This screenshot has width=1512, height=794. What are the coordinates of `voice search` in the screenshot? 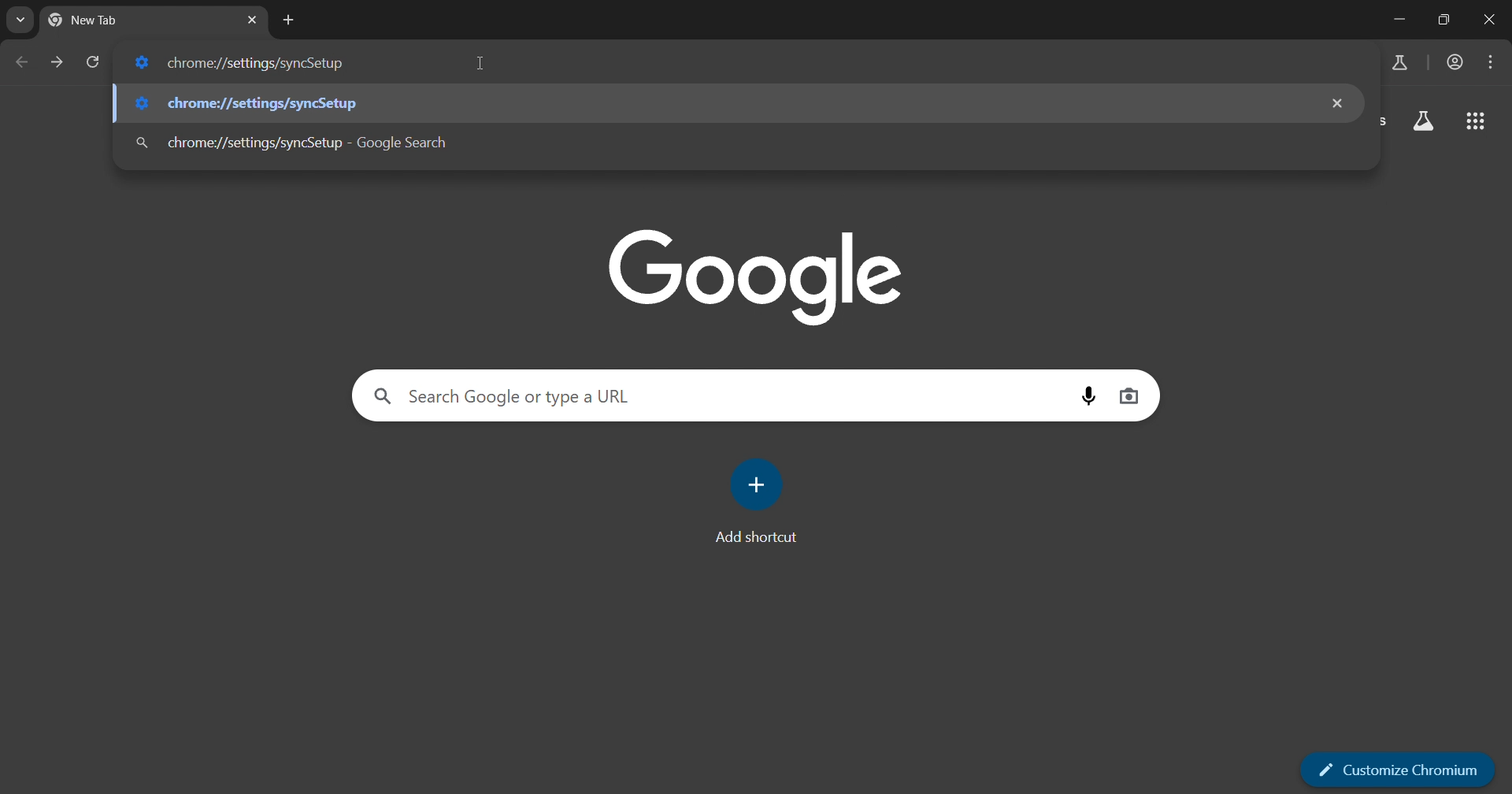 It's located at (1088, 397).